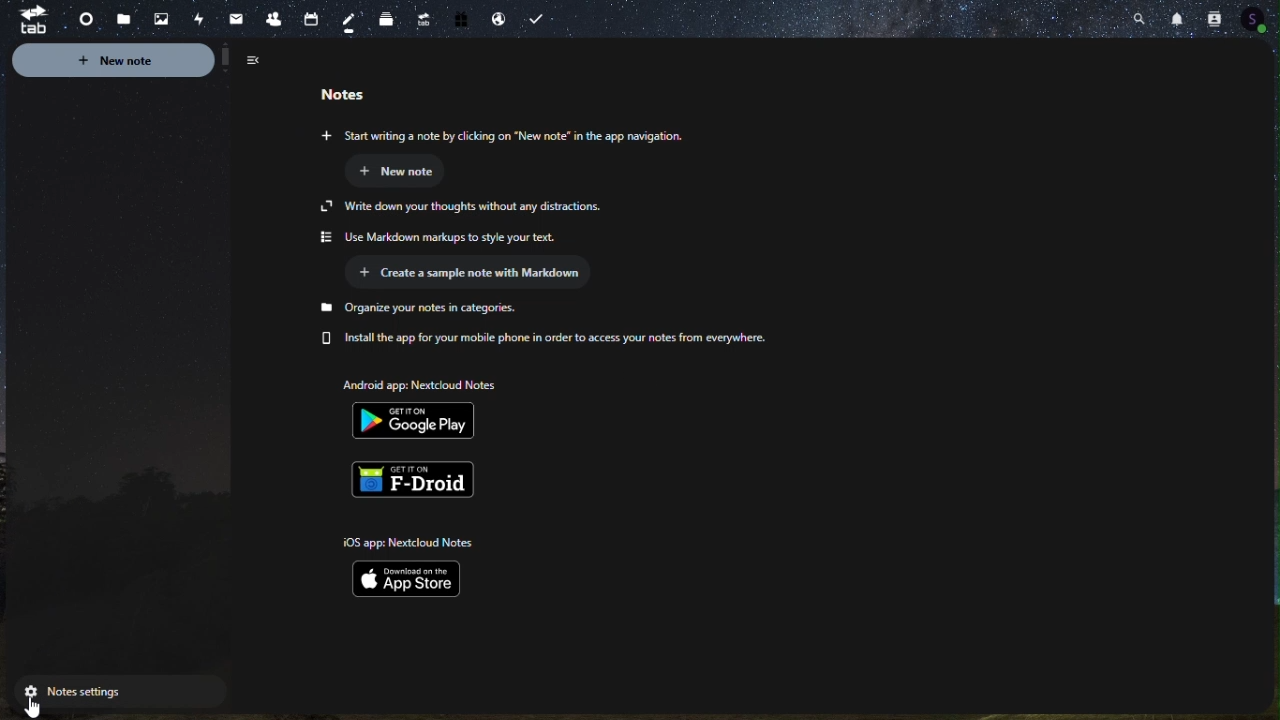 Image resolution: width=1280 pixels, height=720 pixels. Describe the element at coordinates (319, 15) in the screenshot. I see `Calendar` at that location.